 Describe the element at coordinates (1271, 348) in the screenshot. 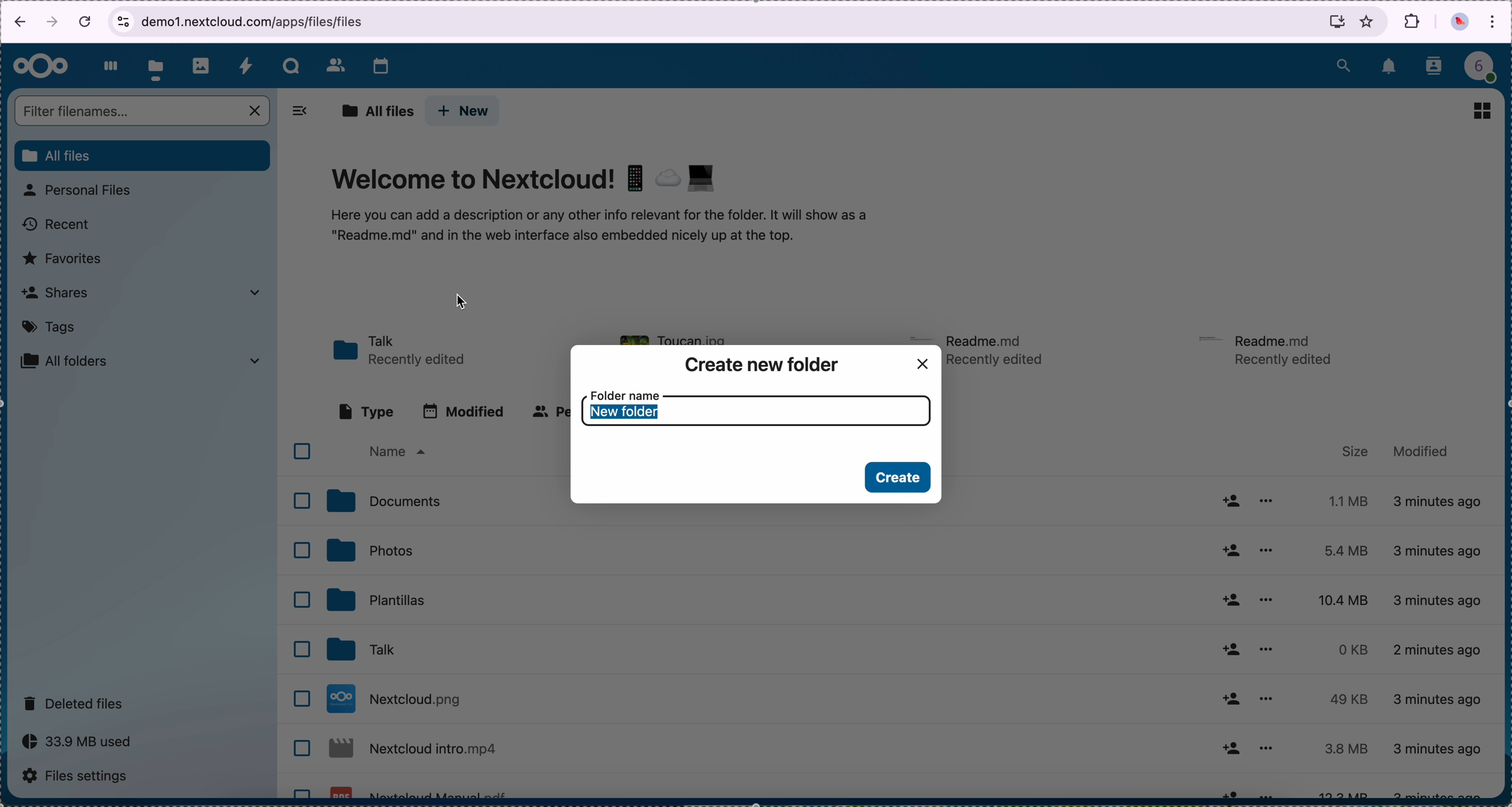

I see `readme file` at that location.